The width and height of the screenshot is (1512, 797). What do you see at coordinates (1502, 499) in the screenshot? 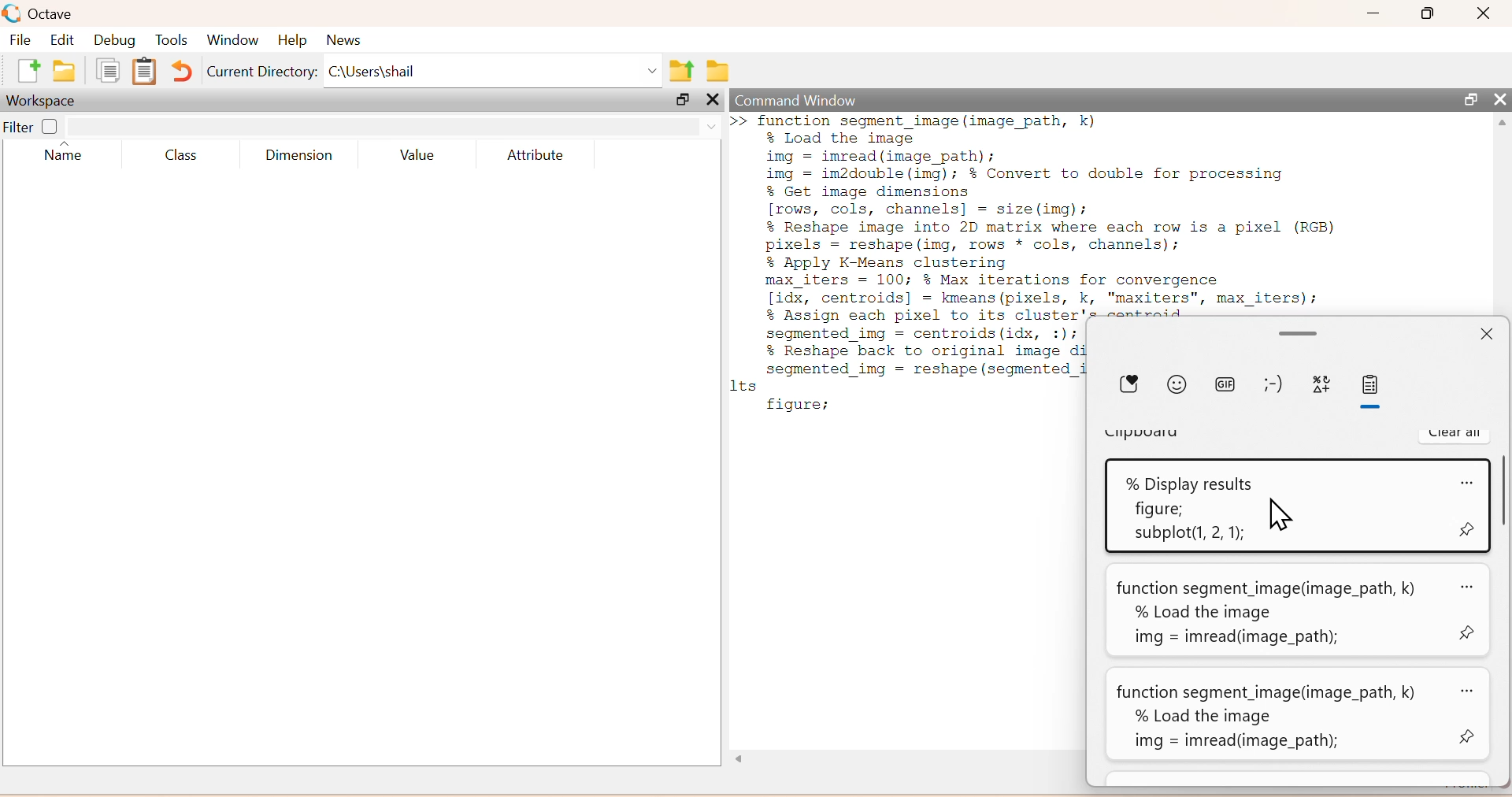
I see `scroll bar` at bounding box center [1502, 499].